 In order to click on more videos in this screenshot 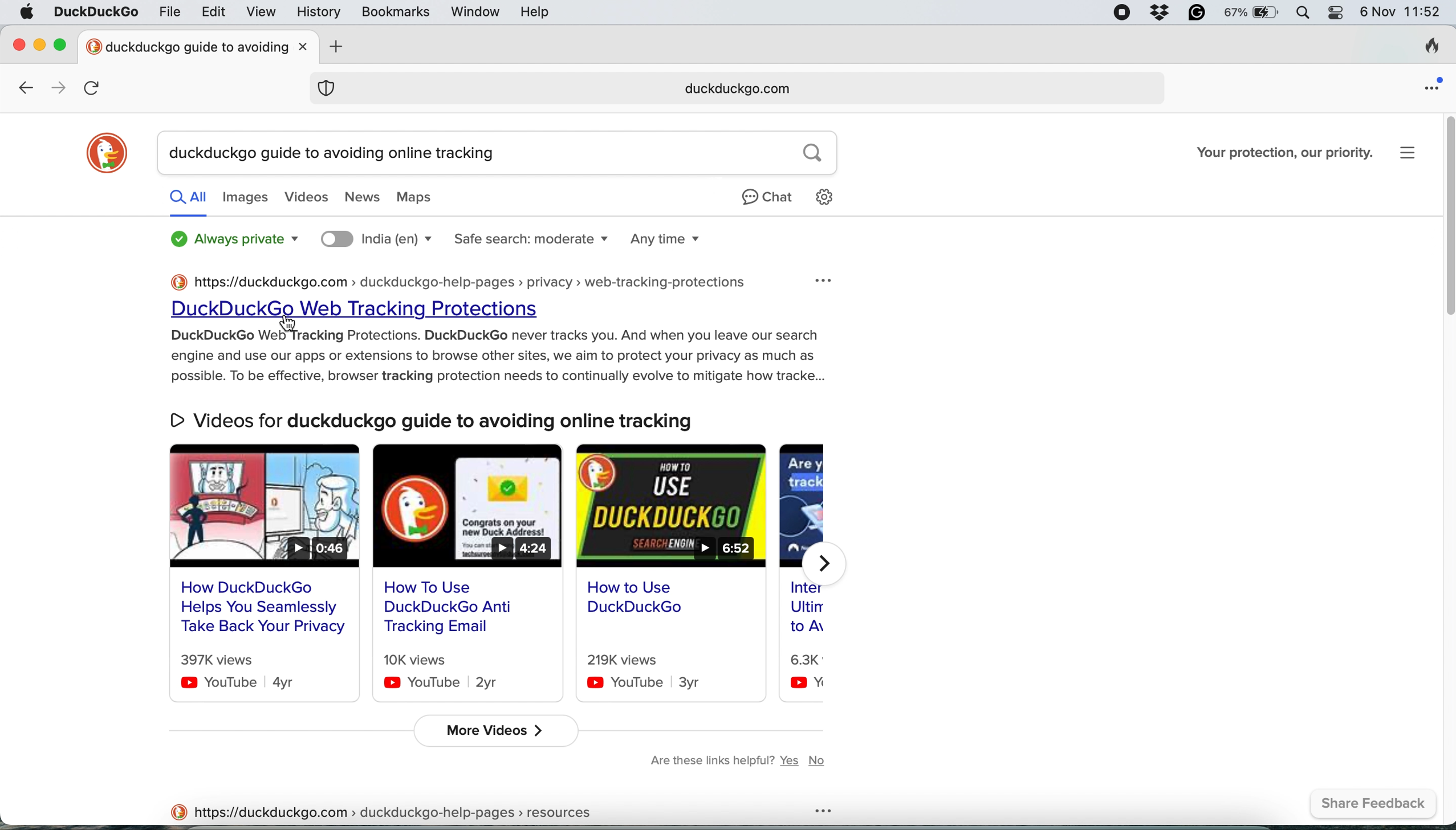, I will do `click(491, 730)`.